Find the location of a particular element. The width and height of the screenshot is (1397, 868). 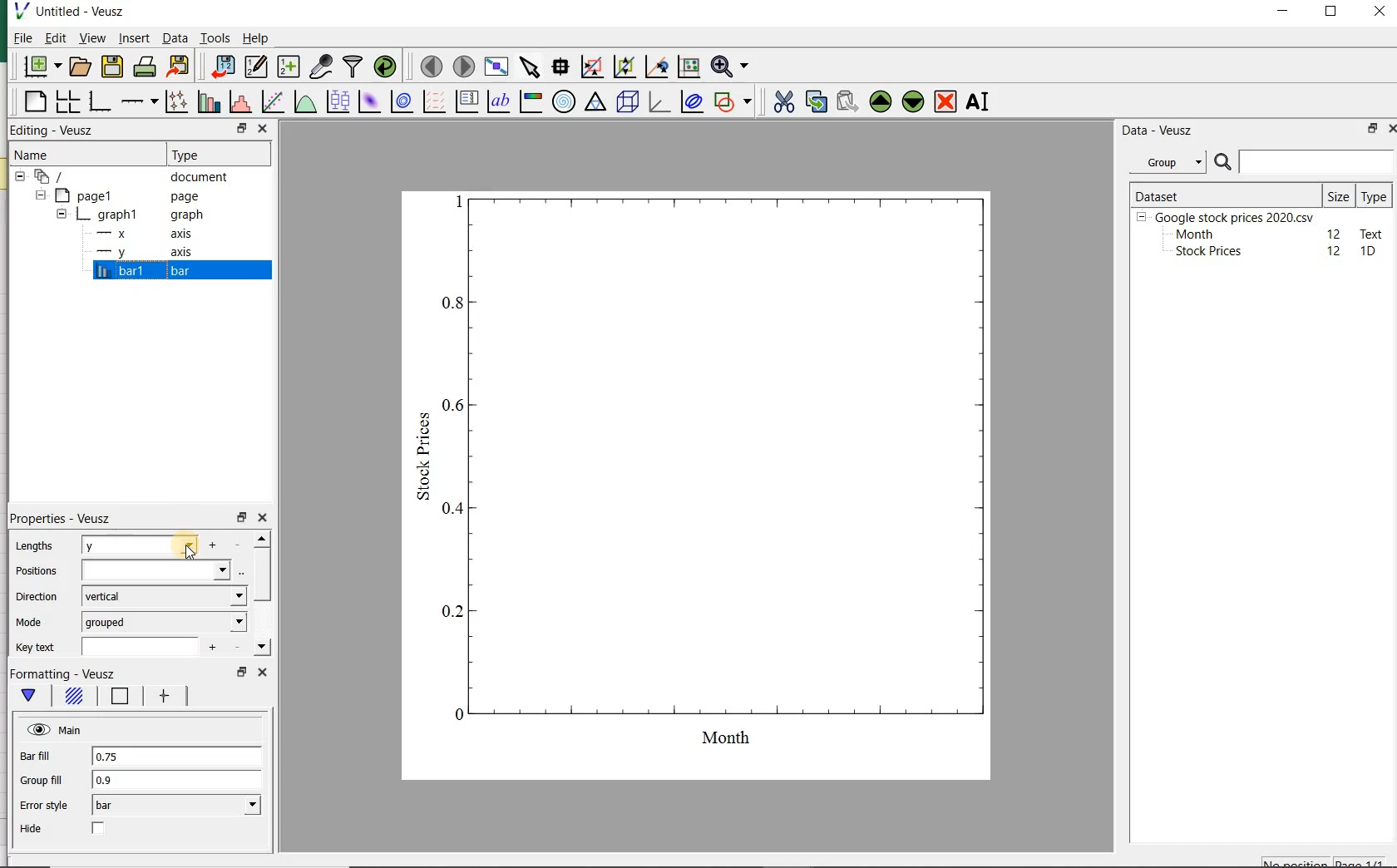

bar1 is located at coordinates (140, 272).